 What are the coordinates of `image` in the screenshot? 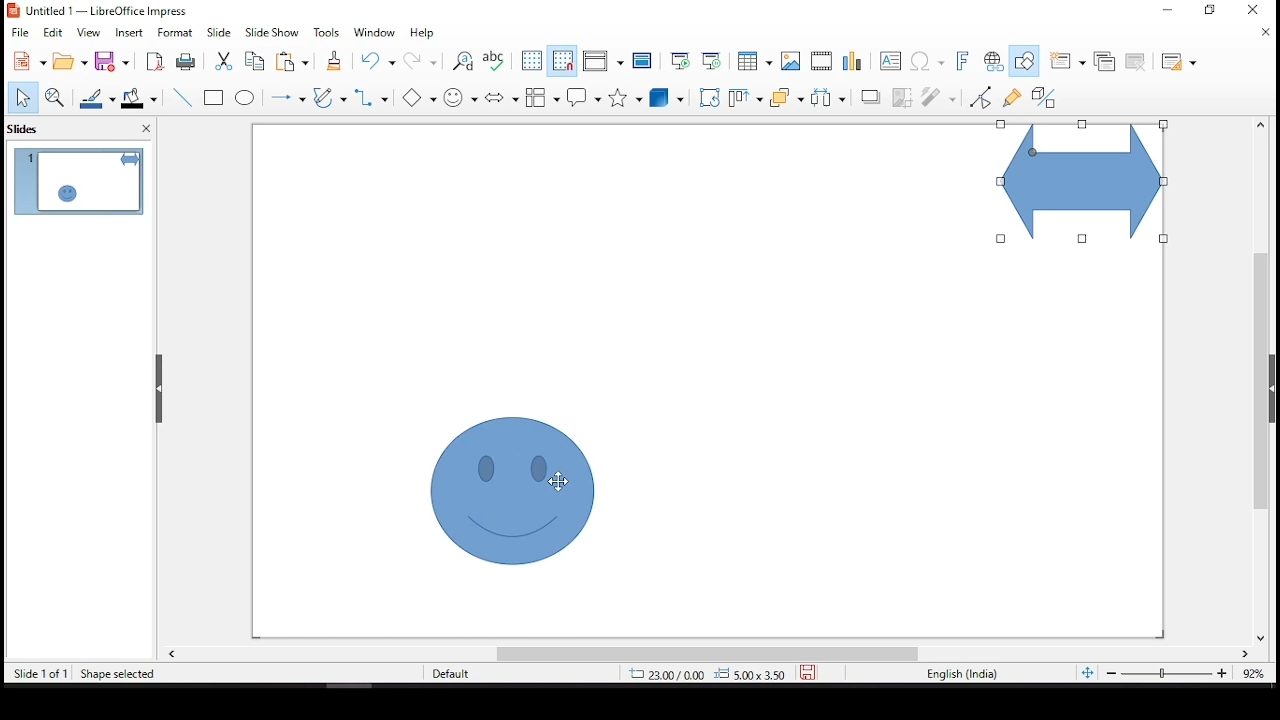 It's located at (791, 61).